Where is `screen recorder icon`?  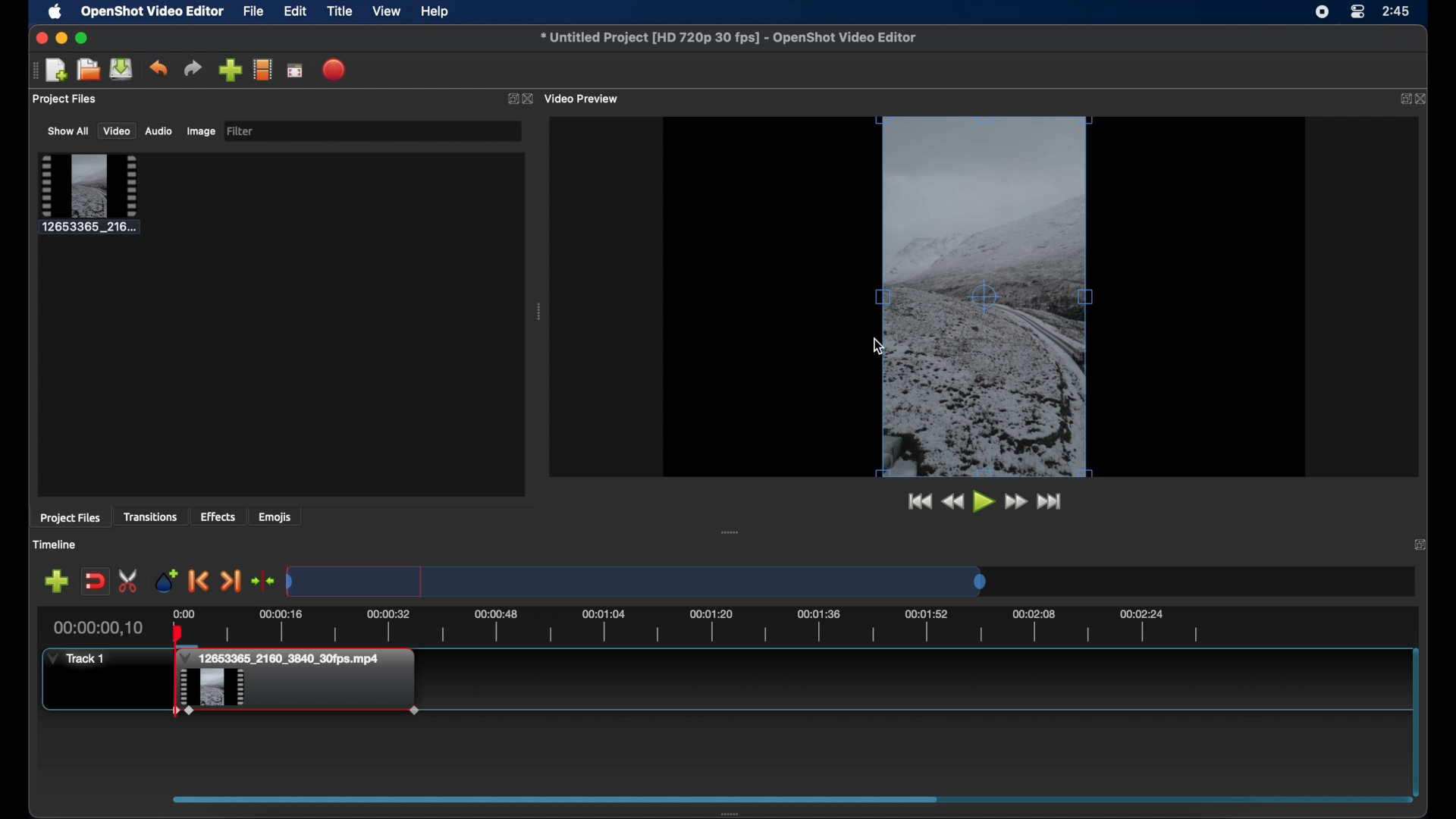
screen recorder icon is located at coordinates (1321, 14).